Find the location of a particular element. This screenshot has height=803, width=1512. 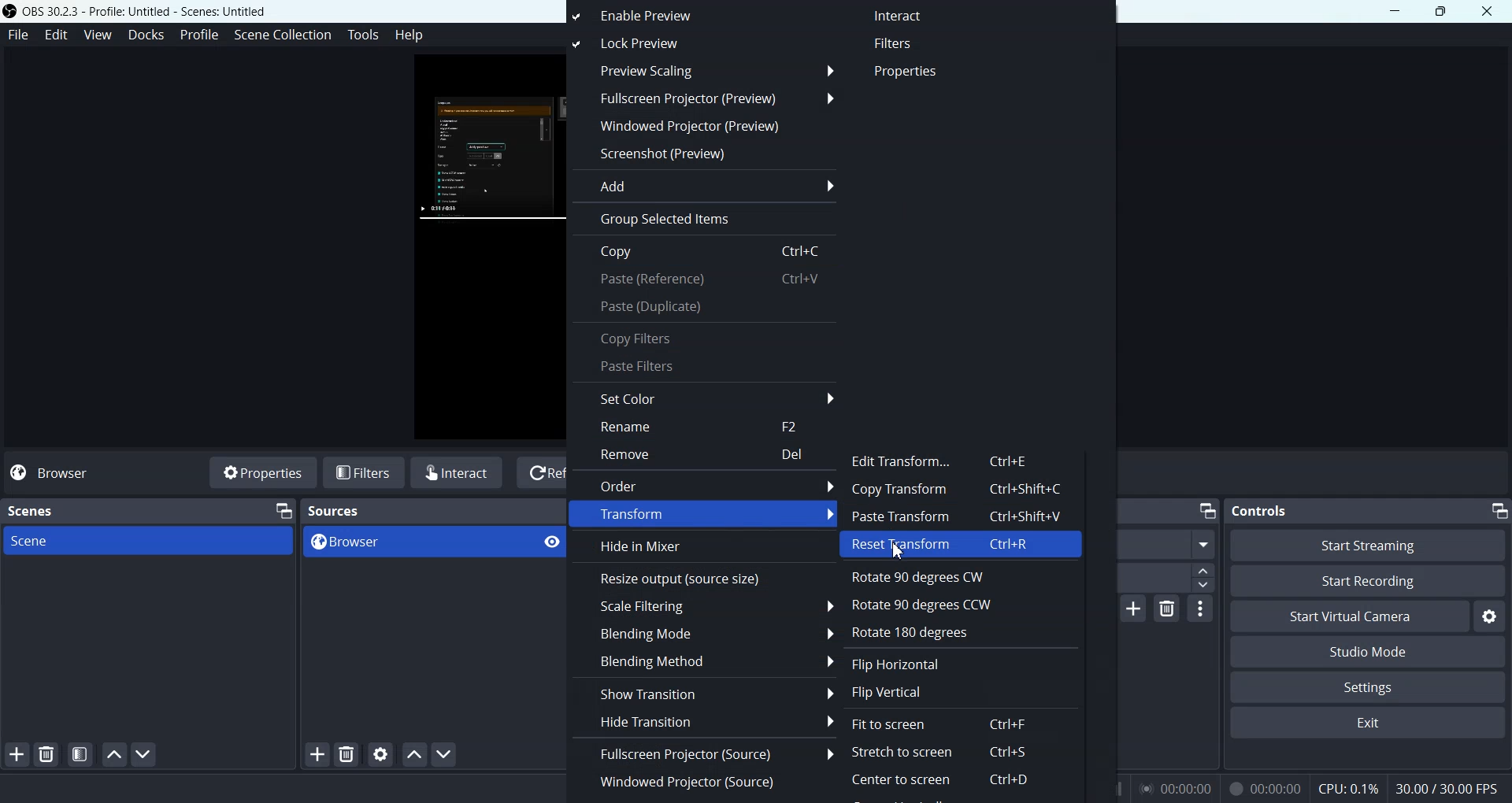

Add is located at coordinates (702, 185).